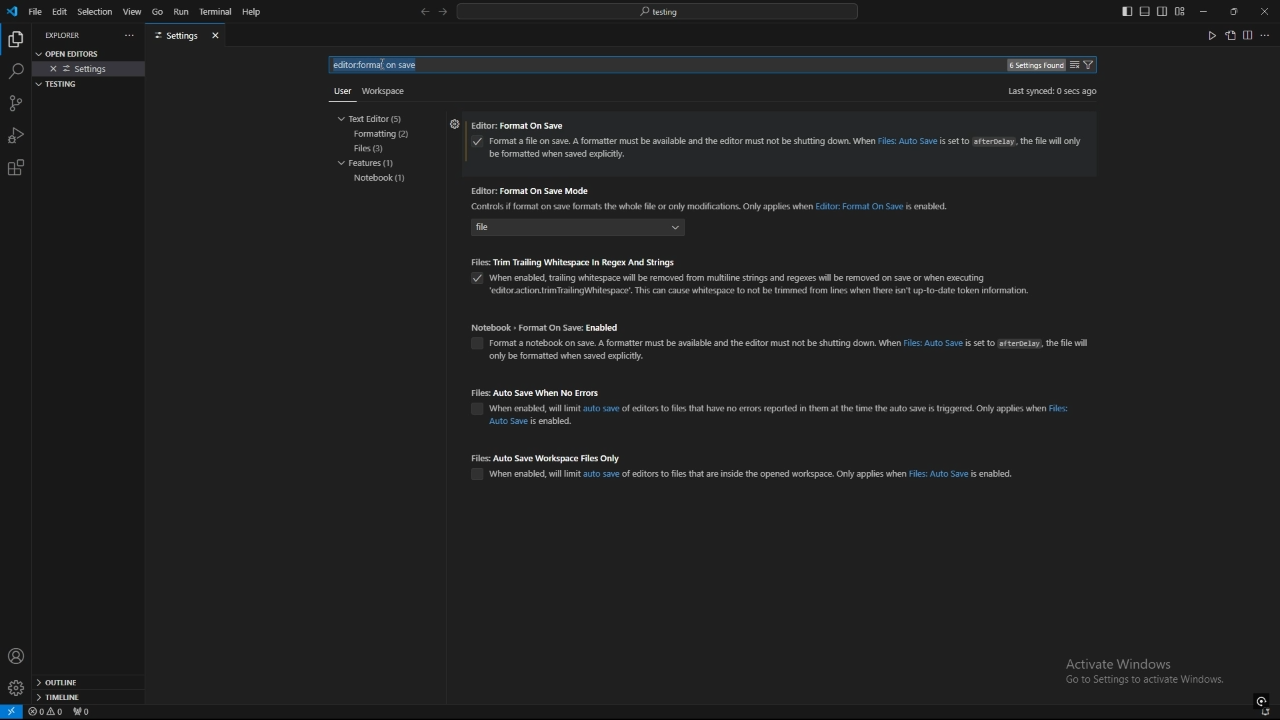  What do you see at coordinates (1248, 35) in the screenshot?
I see `split editor right` at bounding box center [1248, 35].